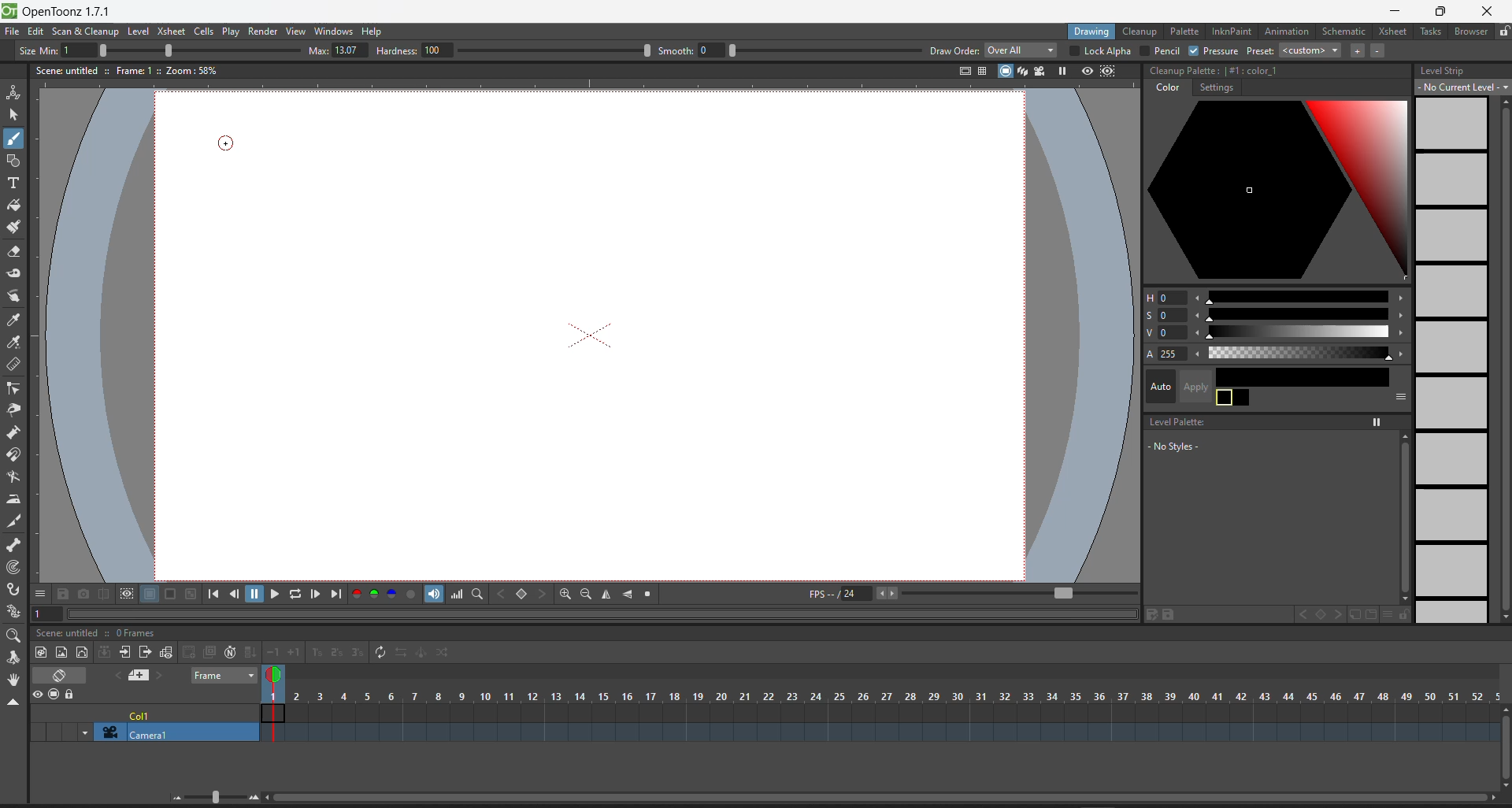  Describe the element at coordinates (82, 651) in the screenshot. I see `new vector level` at that location.